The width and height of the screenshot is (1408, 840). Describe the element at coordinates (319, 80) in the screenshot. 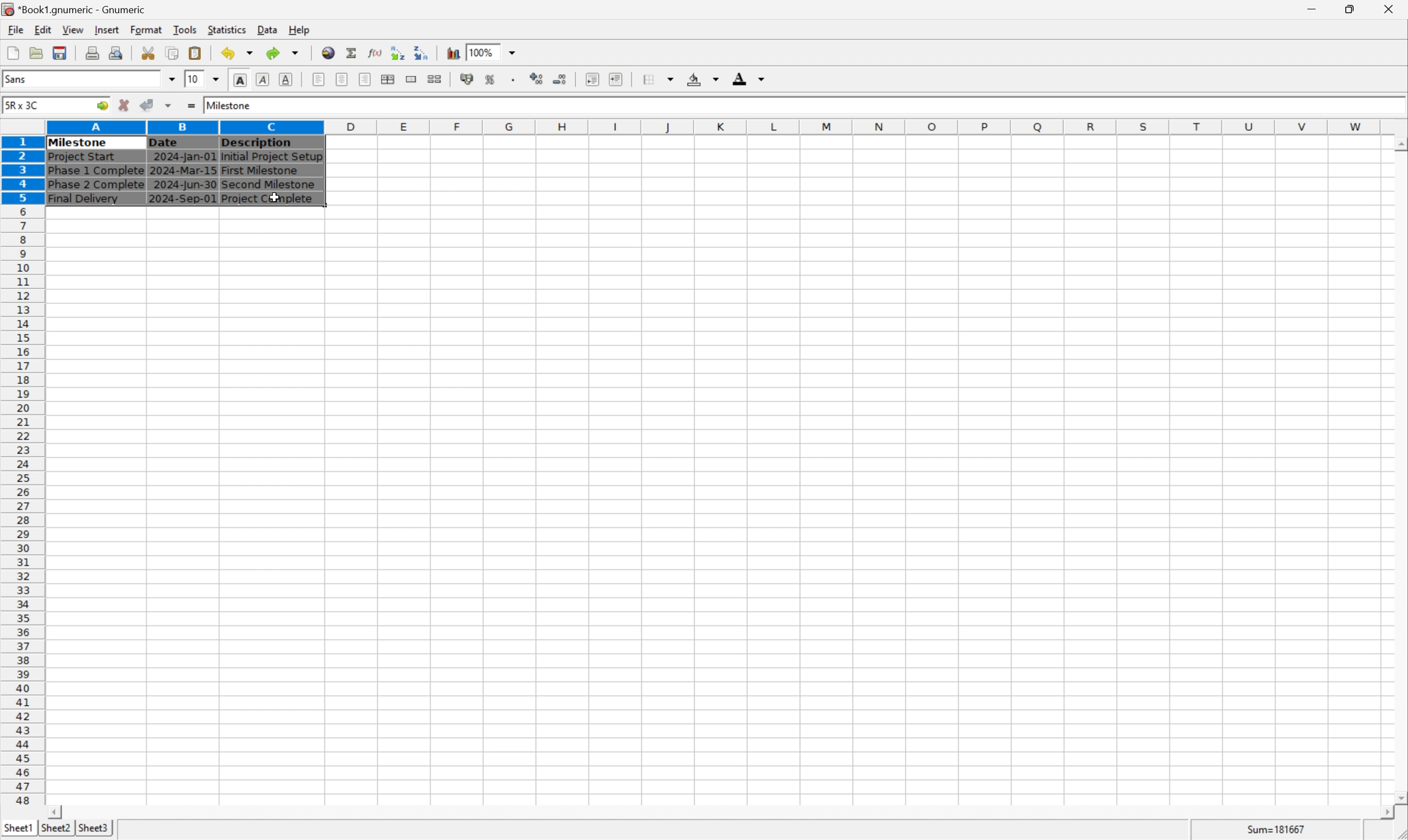

I see `align left` at that location.